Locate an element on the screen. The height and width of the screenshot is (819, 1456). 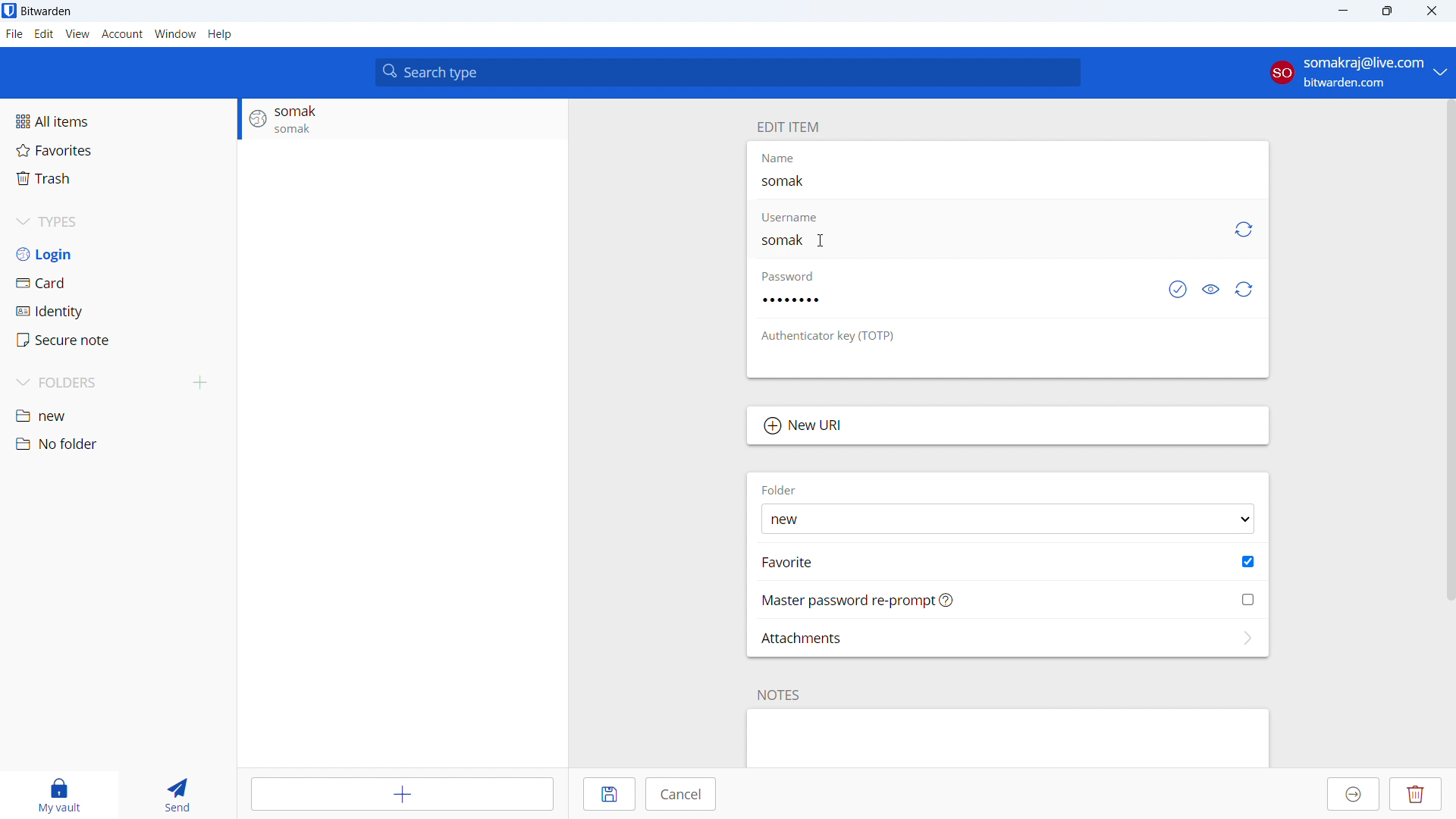
minimize is located at coordinates (1341, 11).